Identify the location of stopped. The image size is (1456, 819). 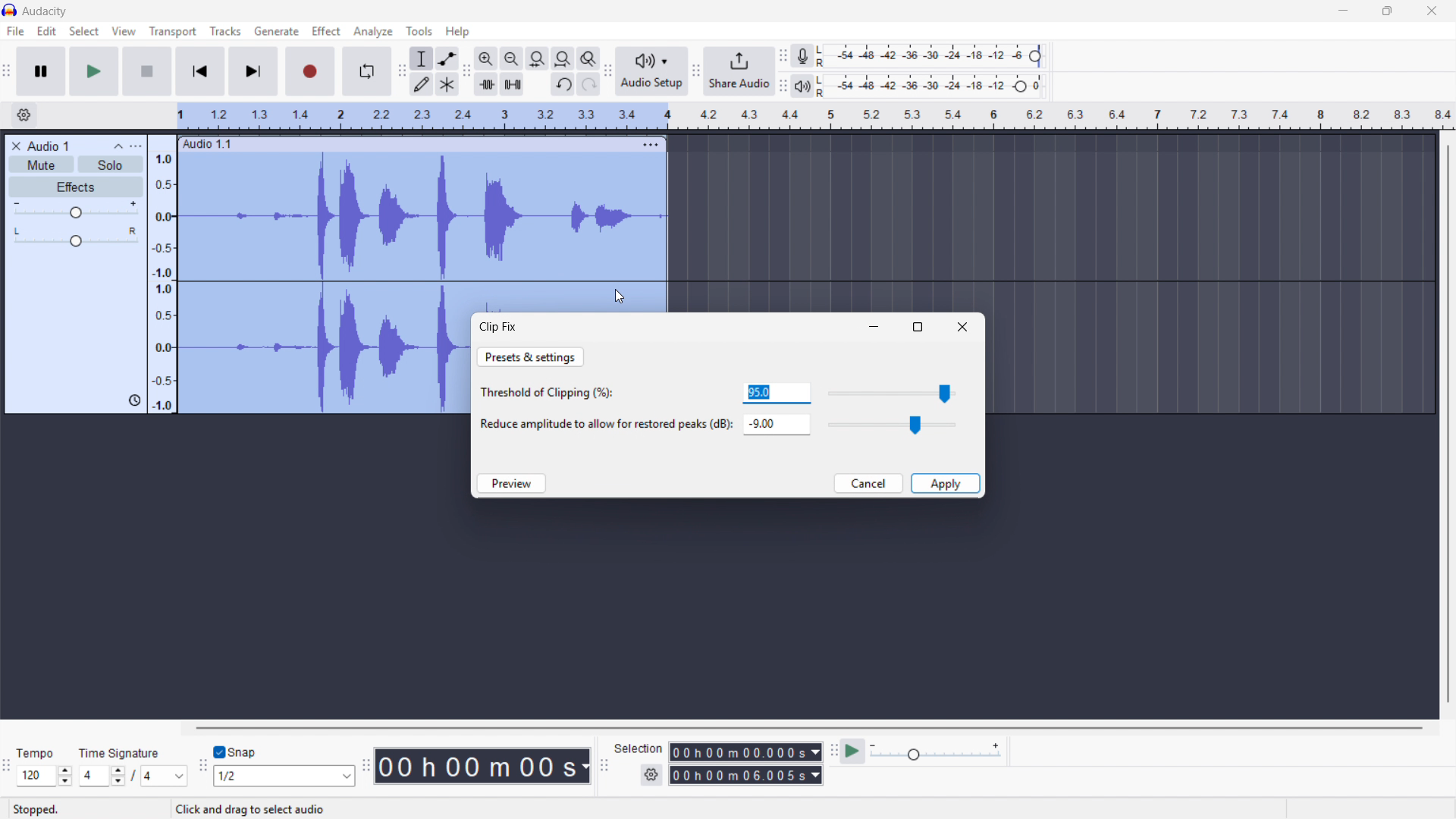
(39, 808).